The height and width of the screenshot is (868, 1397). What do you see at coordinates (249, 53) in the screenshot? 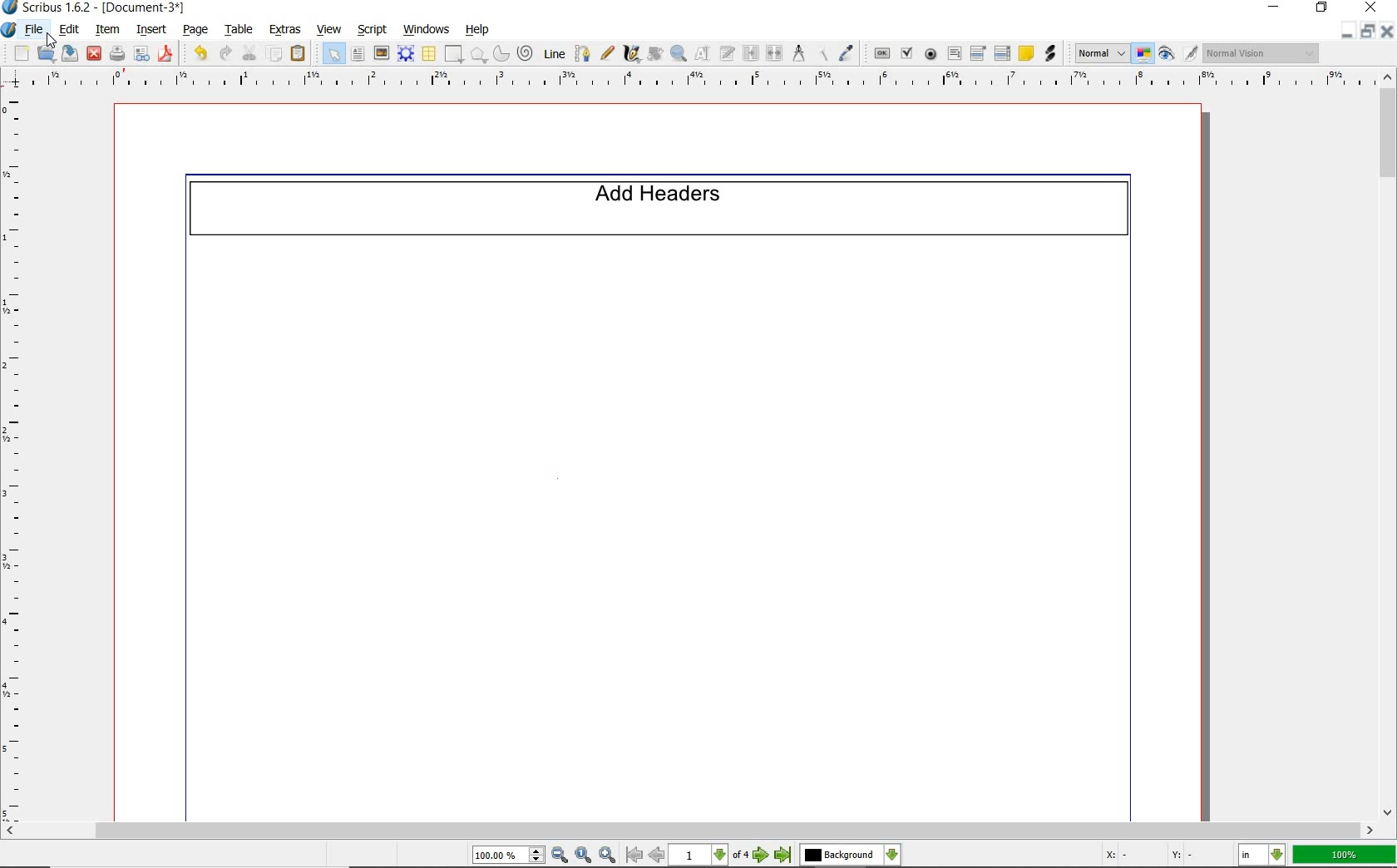
I see `cut` at bounding box center [249, 53].